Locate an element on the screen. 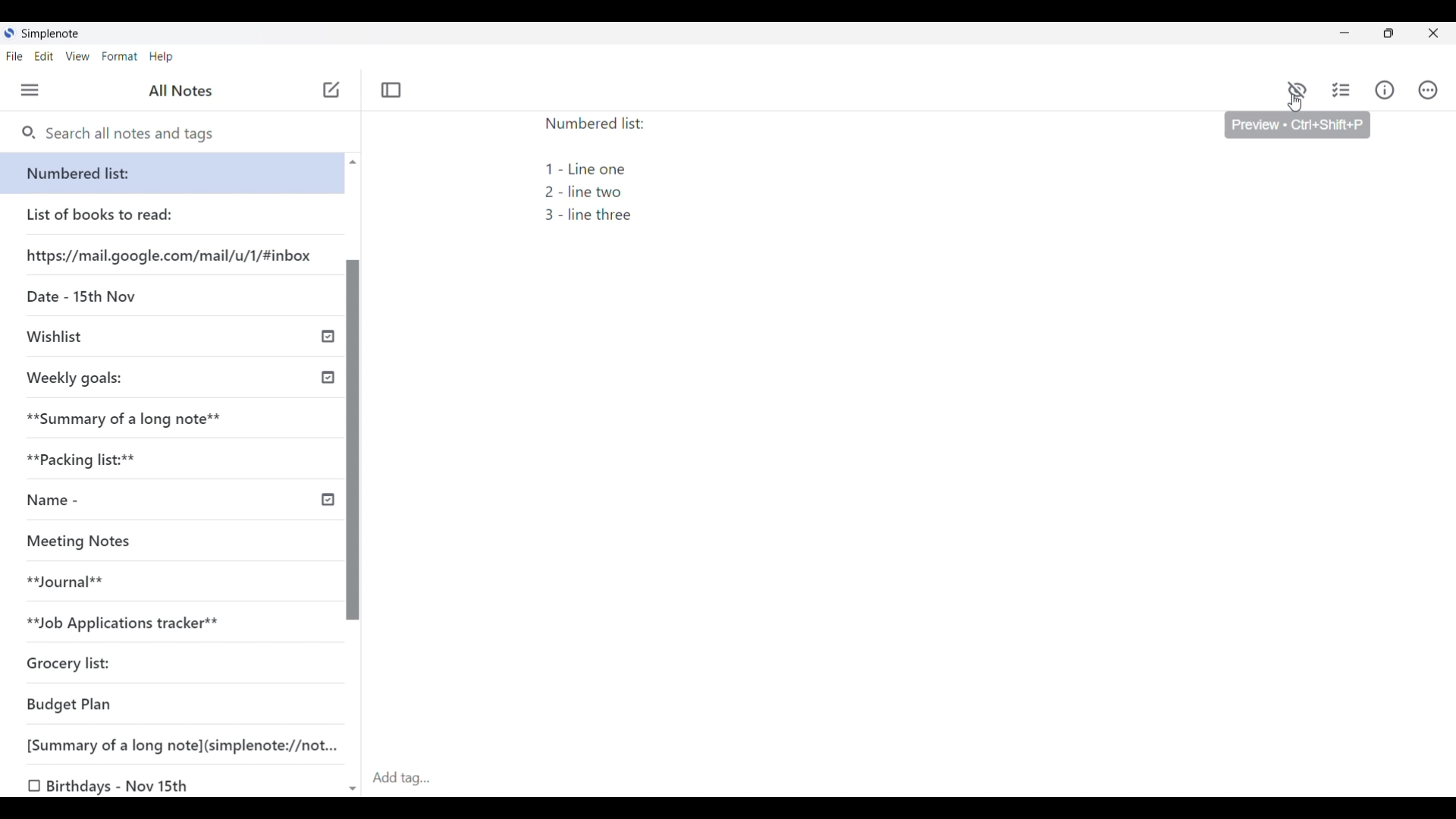 This screenshot has width=1456, height=819. Numbered list: is located at coordinates (174, 173).